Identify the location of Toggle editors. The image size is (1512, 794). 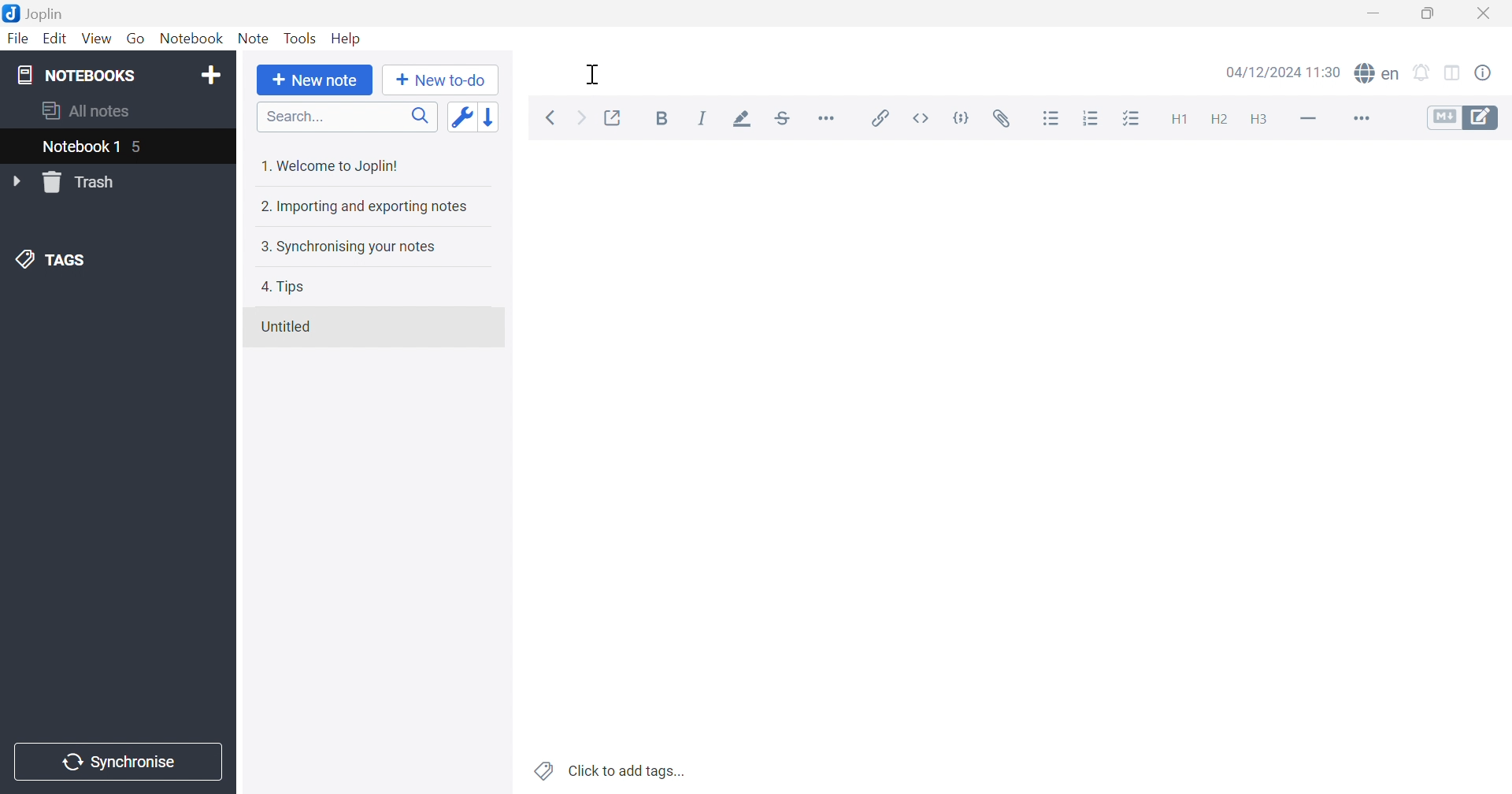
(1463, 120).